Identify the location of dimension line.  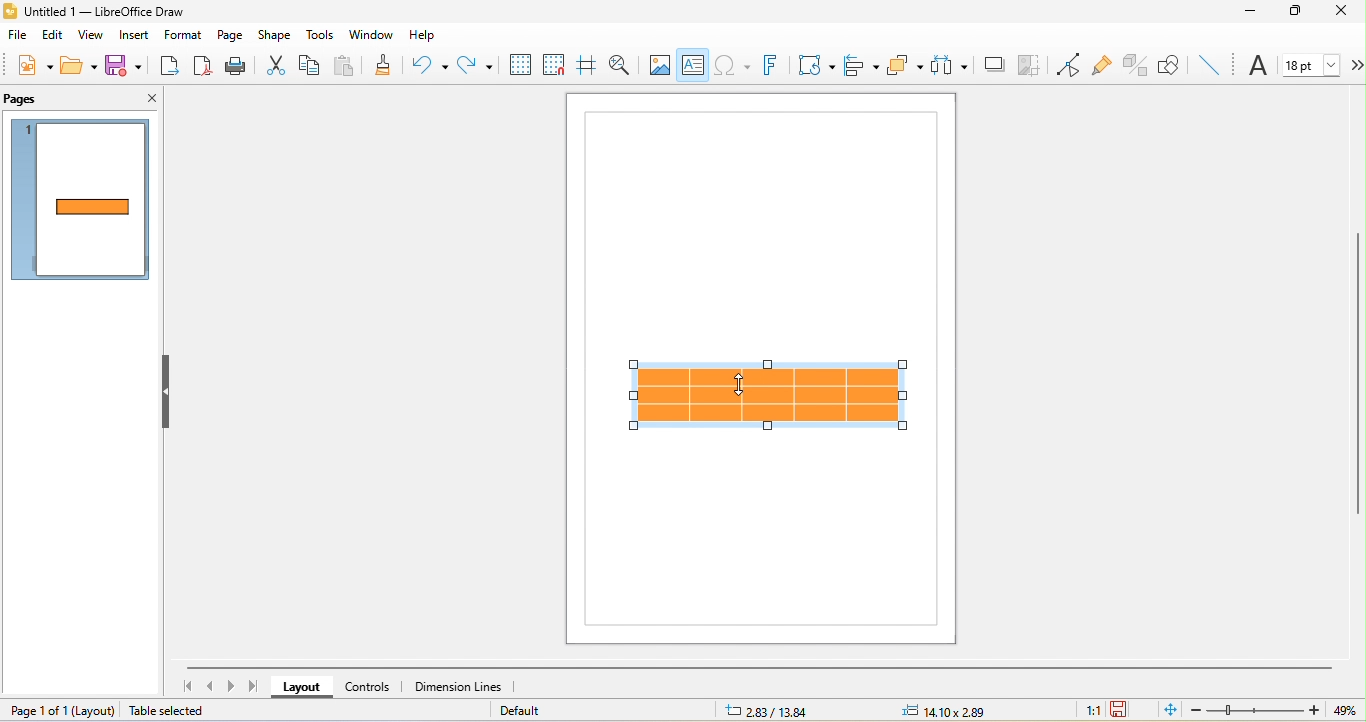
(457, 685).